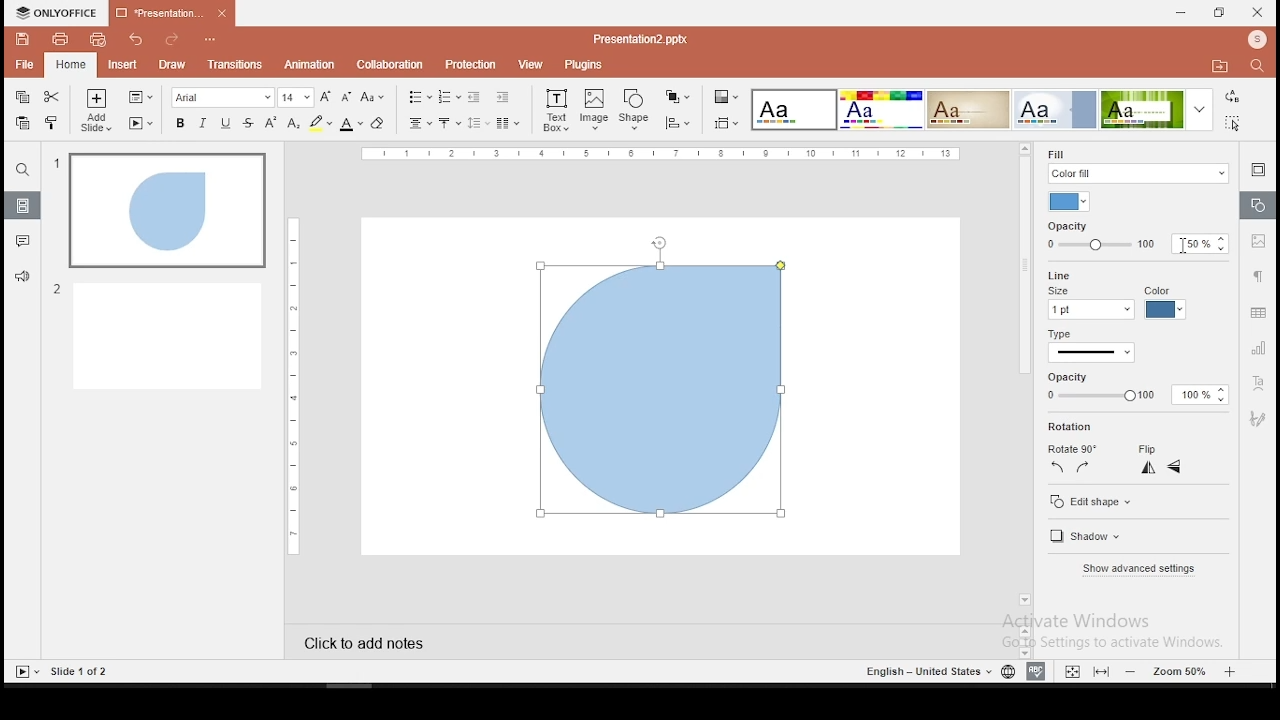 The height and width of the screenshot is (720, 1280). What do you see at coordinates (469, 65) in the screenshot?
I see `protection` at bounding box center [469, 65].